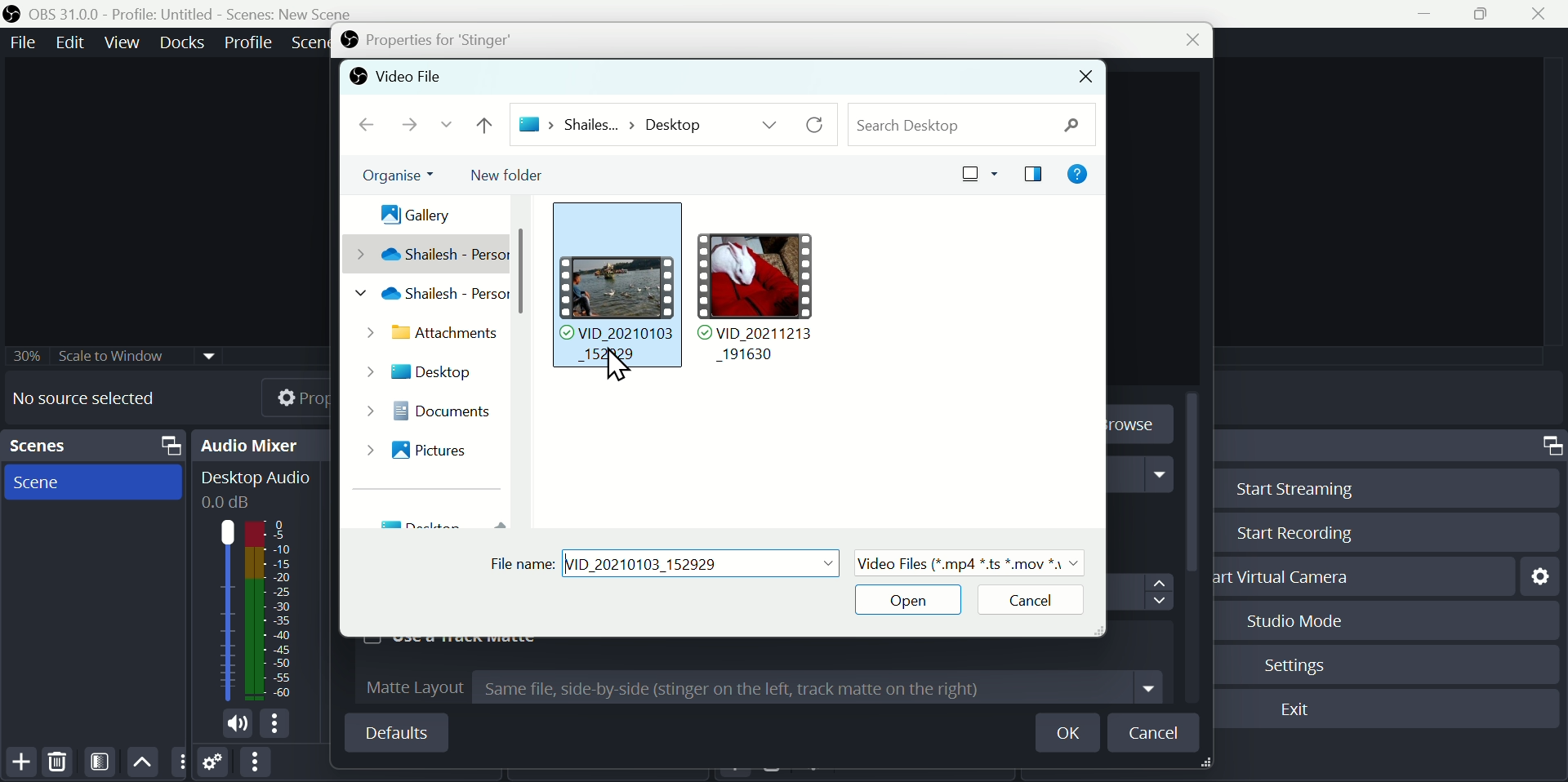 This screenshot has height=782, width=1568. Describe the element at coordinates (1298, 711) in the screenshot. I see `Exit` at that location.